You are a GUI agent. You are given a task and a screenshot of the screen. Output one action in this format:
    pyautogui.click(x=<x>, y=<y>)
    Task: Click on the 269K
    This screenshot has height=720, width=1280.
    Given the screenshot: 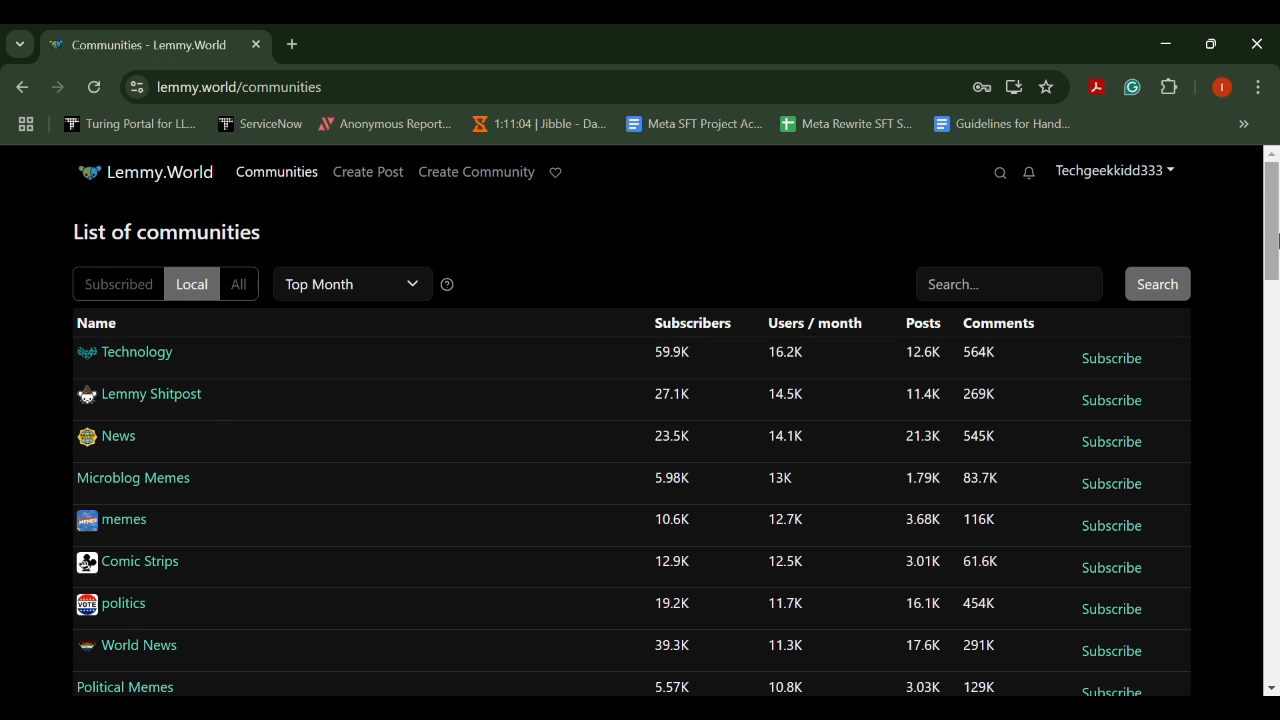 What is the action you would take?
    pyautogui.click(x=978, y=397)
    